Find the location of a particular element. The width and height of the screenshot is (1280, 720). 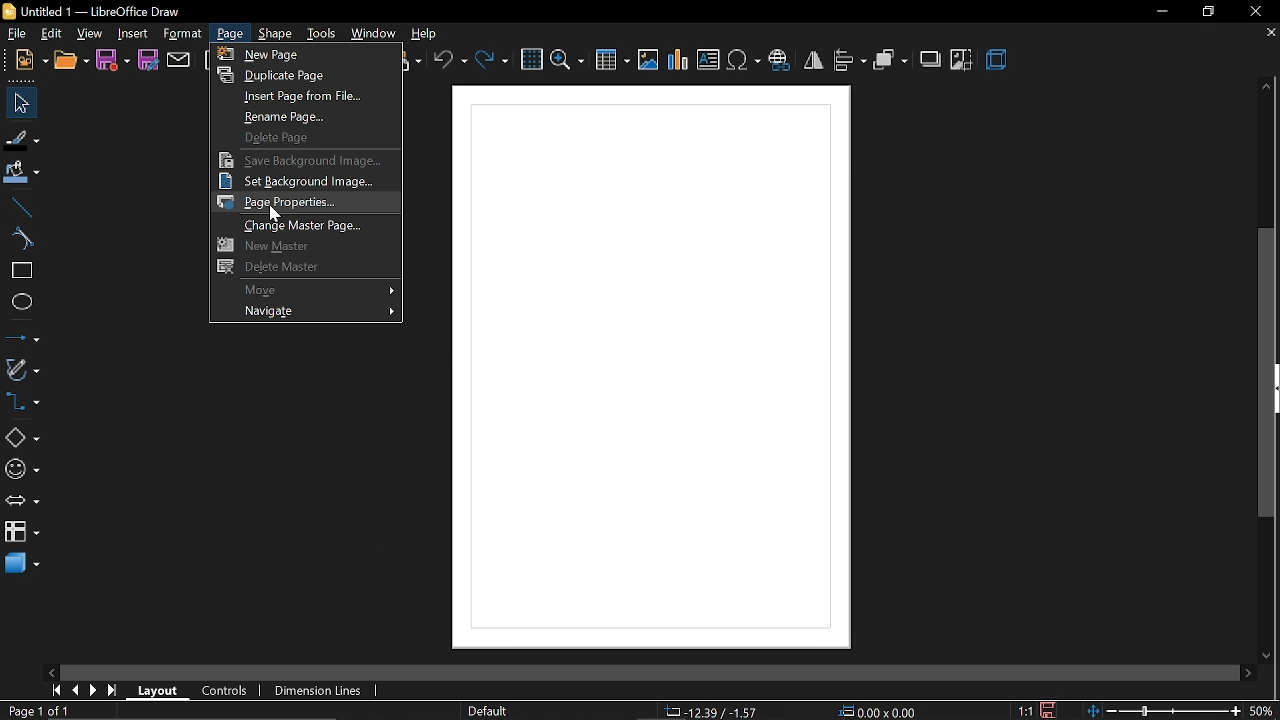

rename page is located at coordinates (306, 118).